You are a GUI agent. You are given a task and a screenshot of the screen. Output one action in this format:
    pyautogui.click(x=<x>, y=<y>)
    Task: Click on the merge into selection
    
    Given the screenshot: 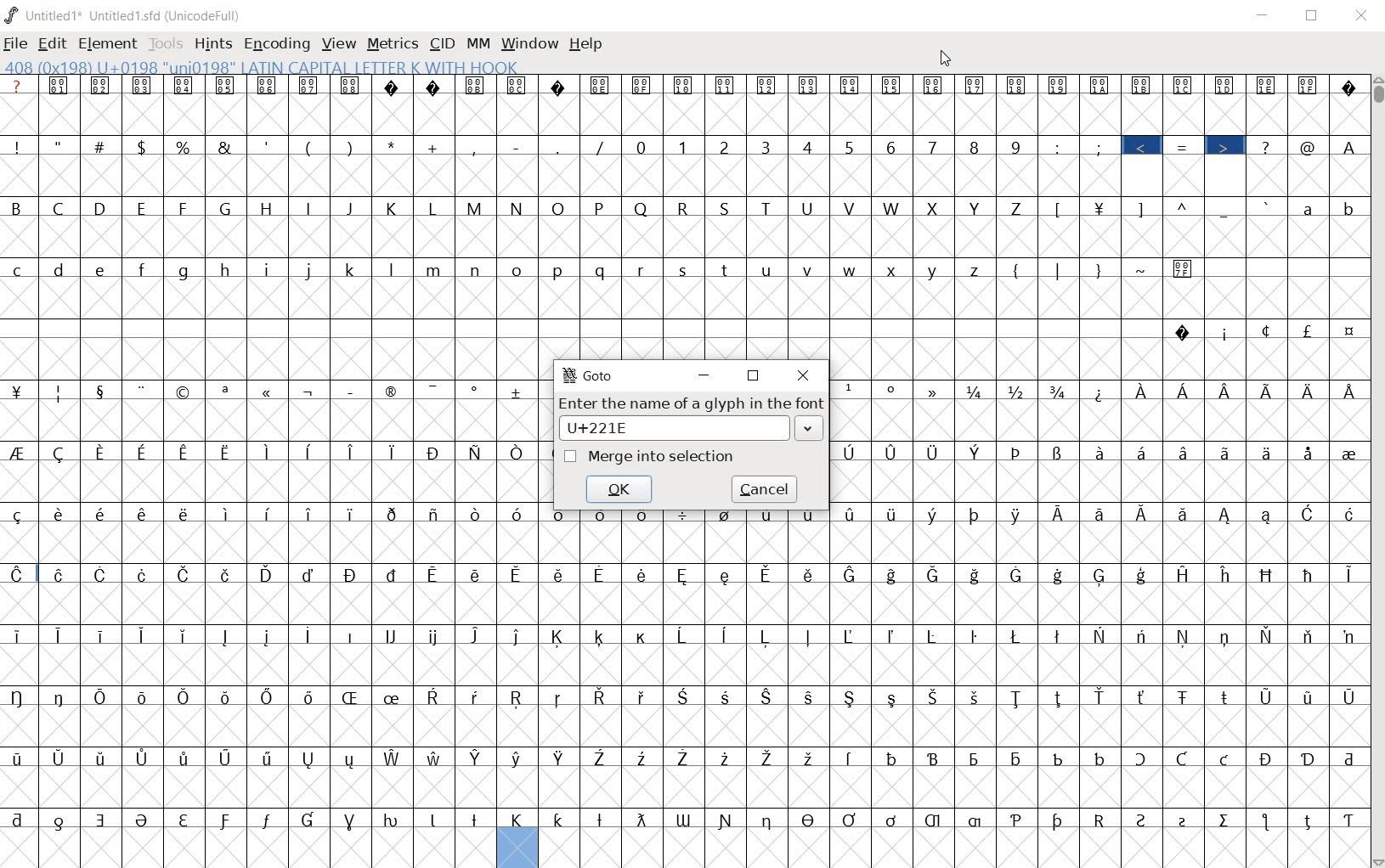 What is the action you would take?
    pyautogui.click(x=650, y=457)
    